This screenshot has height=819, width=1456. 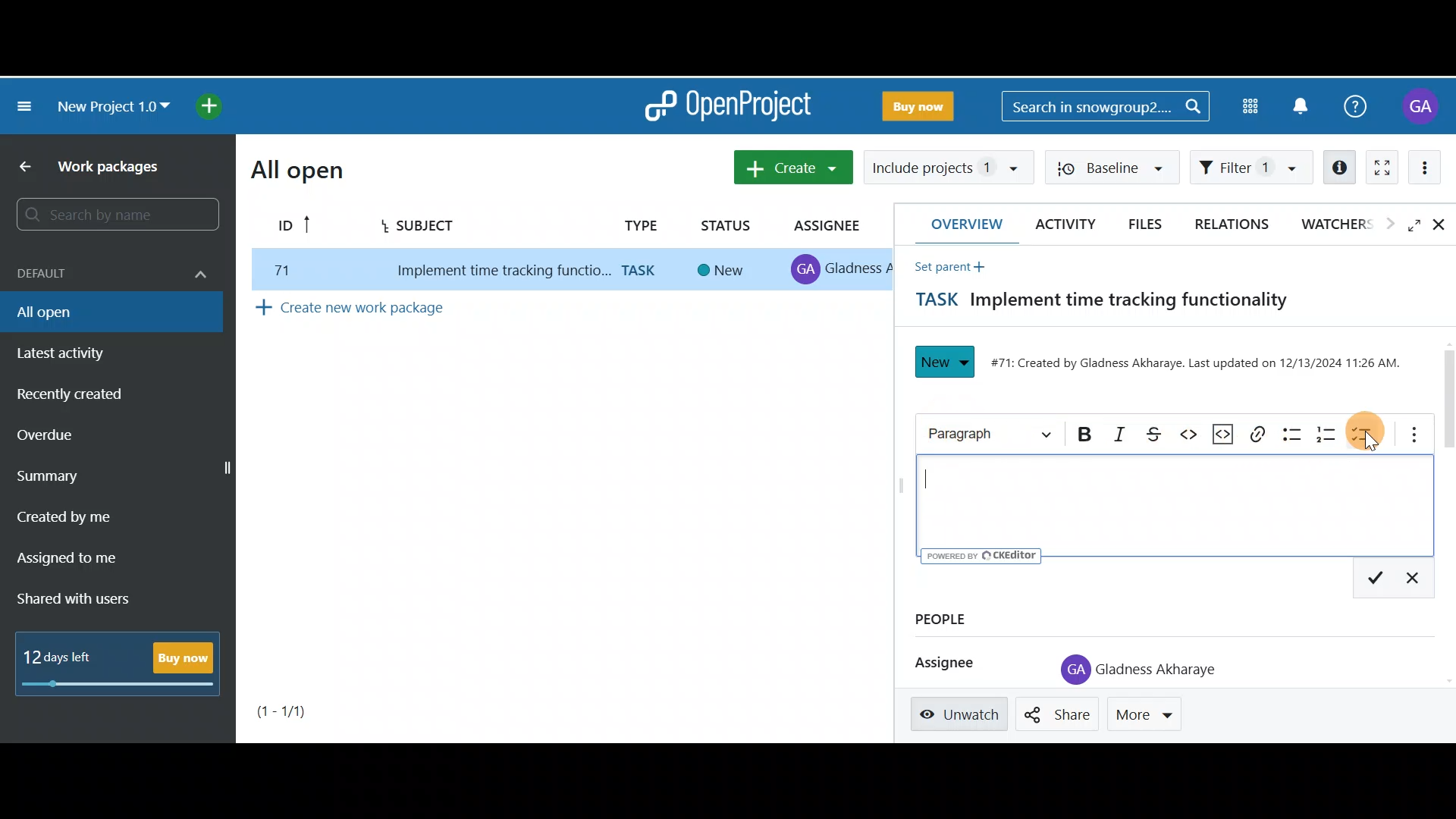 What do you see at coordinates (1384, 168) in the screenshot?
I see `Activate zen mode` at bounding box center [1384, 168].